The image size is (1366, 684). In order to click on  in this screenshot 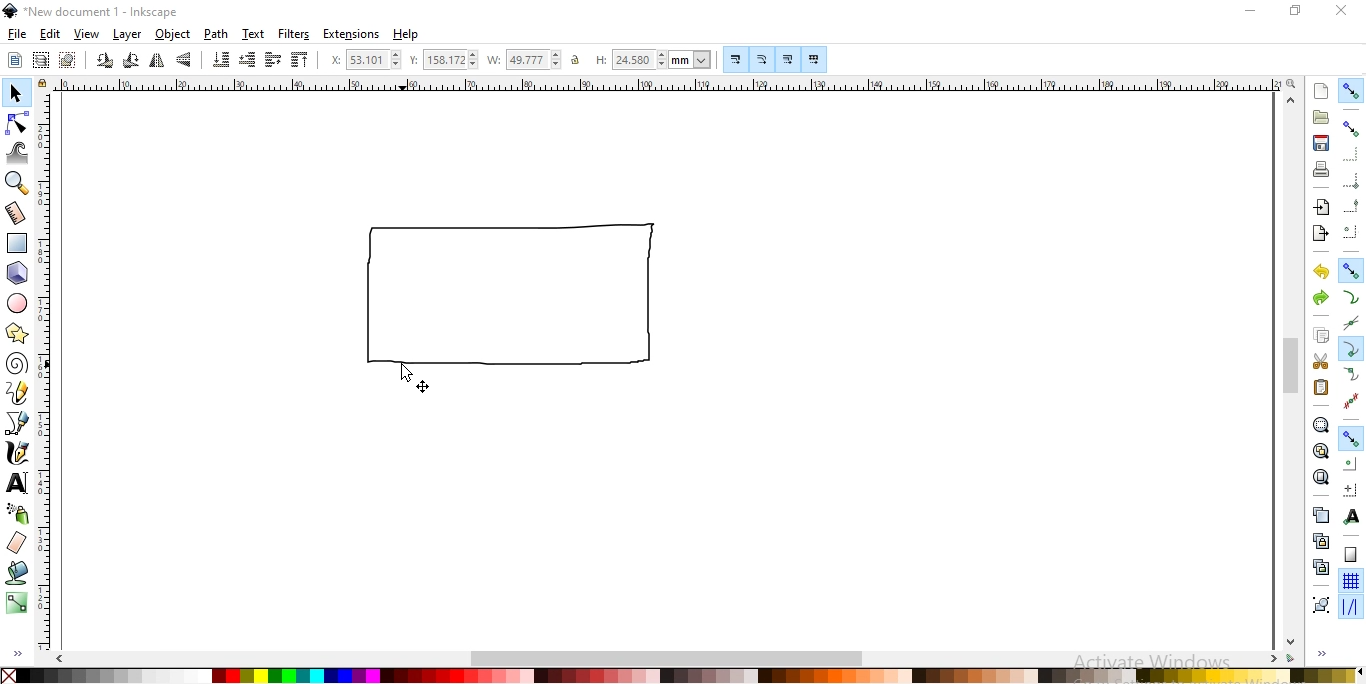, I will do `click(764, 58)`.